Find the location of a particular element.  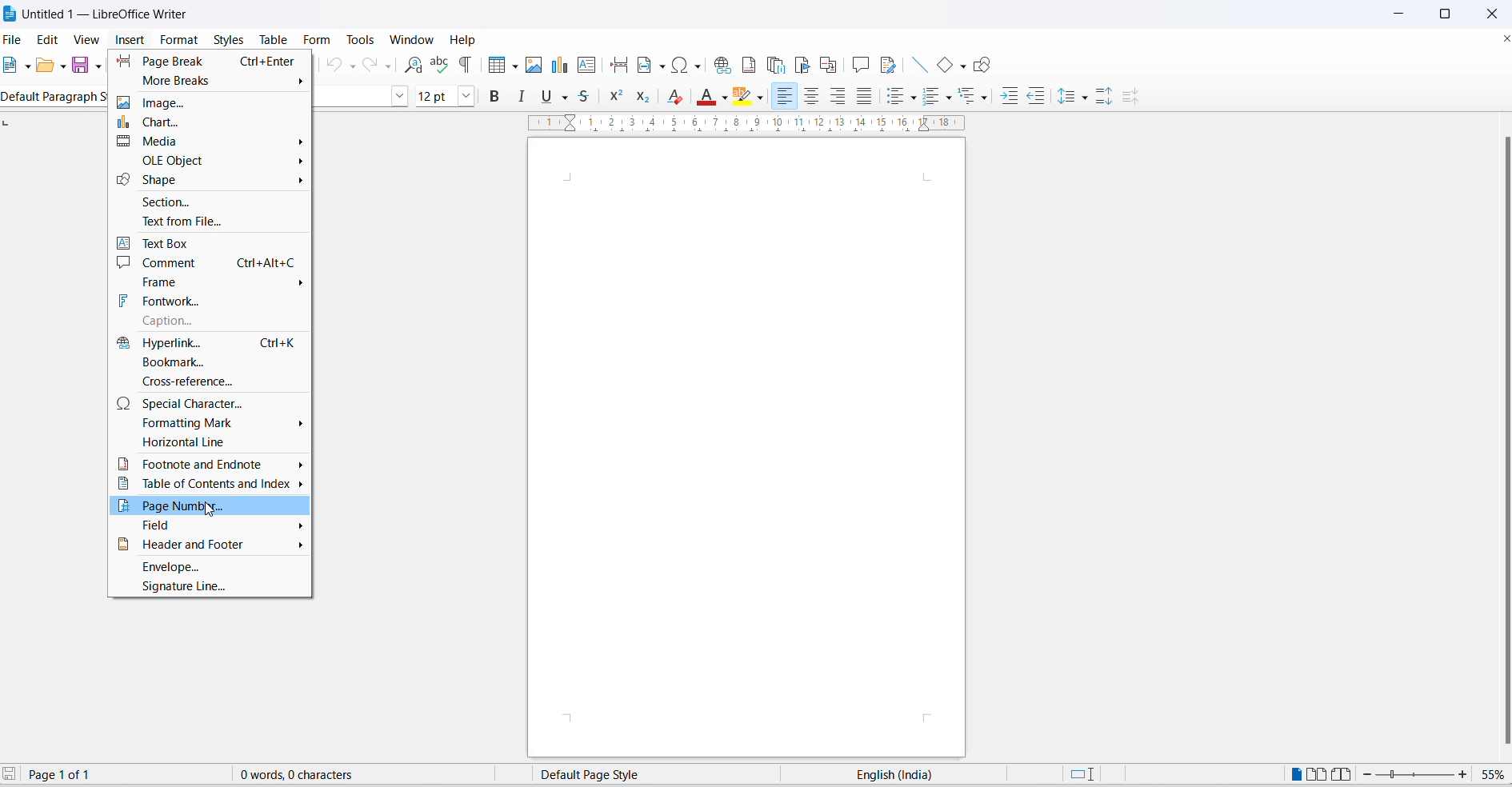

insert footnote is located at coordinates (749, 65).